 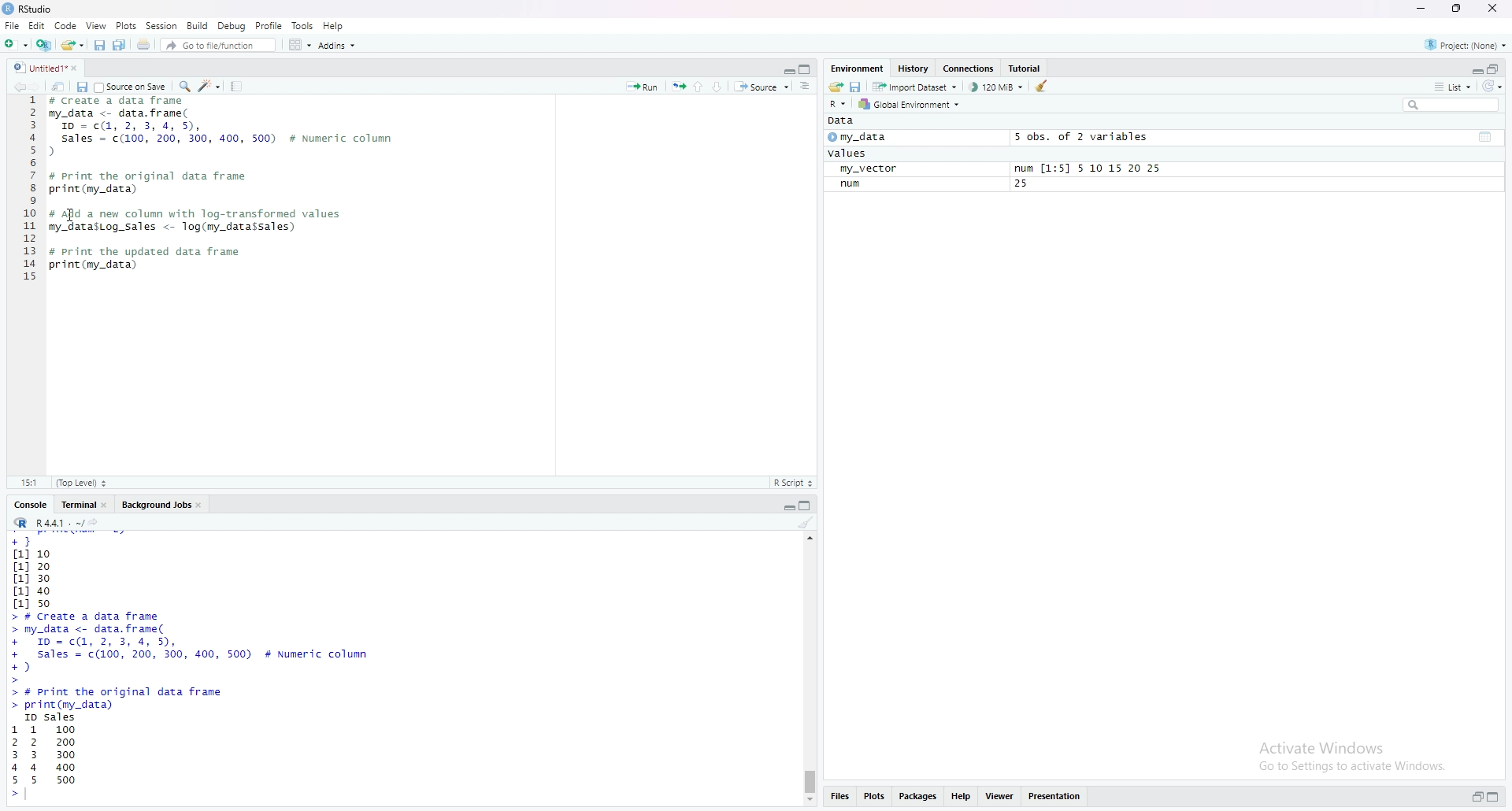 What do you see at coordinates (1085, 137) in the screenshot?
I see `5 obs. of 2 variables` at bounding box center [1085, 137].